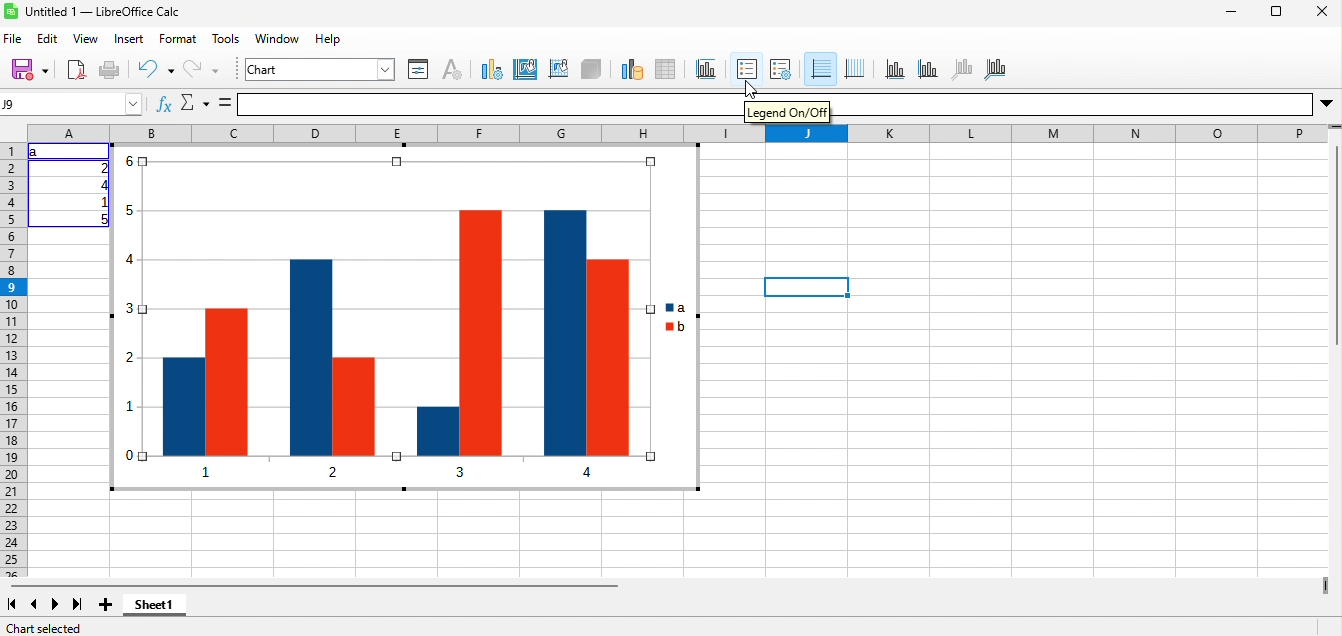 The image size is (1342, 636). I want to click on redo, so click(204, 71).